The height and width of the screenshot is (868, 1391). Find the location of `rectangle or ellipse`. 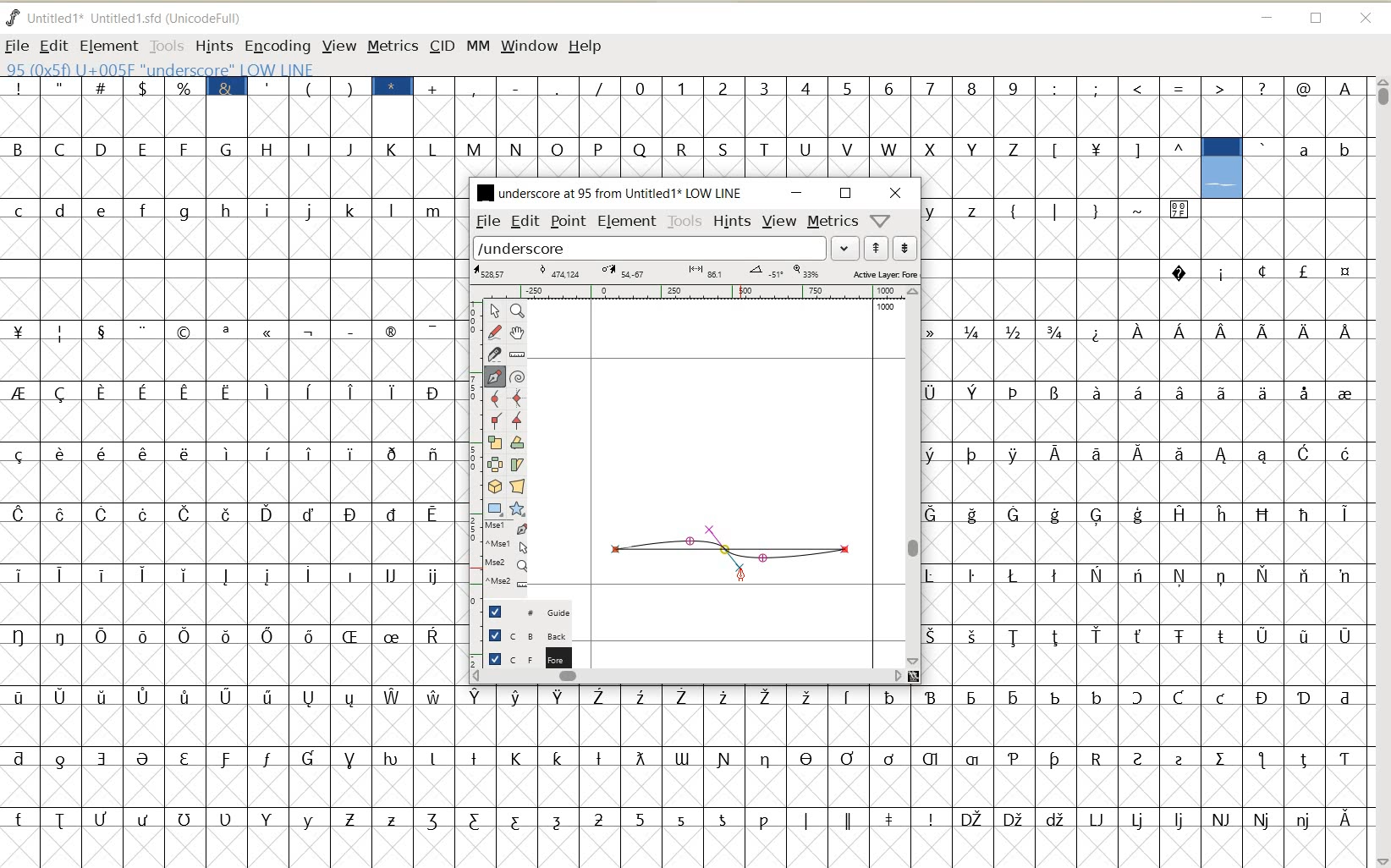

rectangle or ellipse is located at coordinates (496, 508).